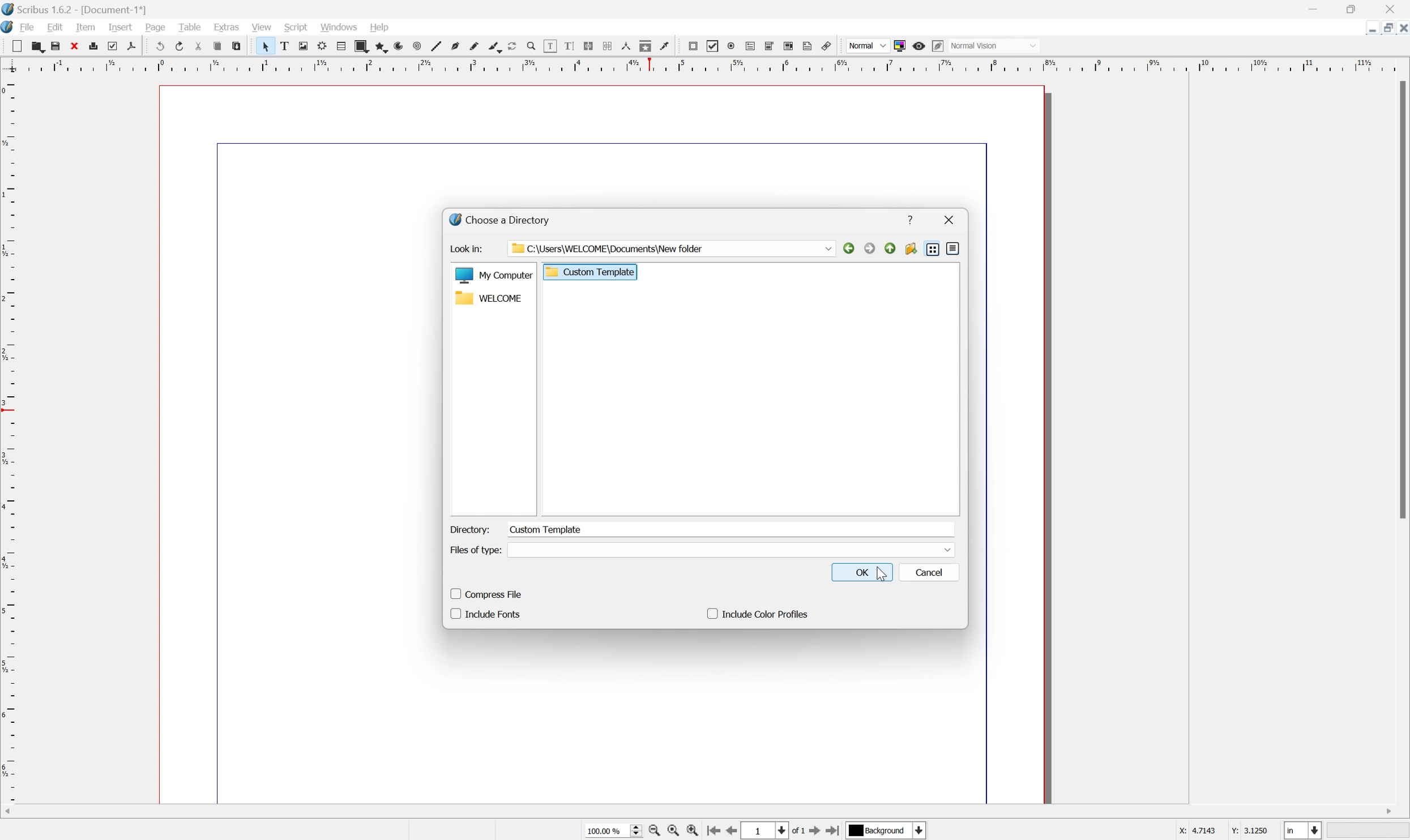 This screenshot has height=840, width=1410. What do you see at coordinates (887, 831) in the screenshot?
I see `Background` at bounding box center [887, 831].